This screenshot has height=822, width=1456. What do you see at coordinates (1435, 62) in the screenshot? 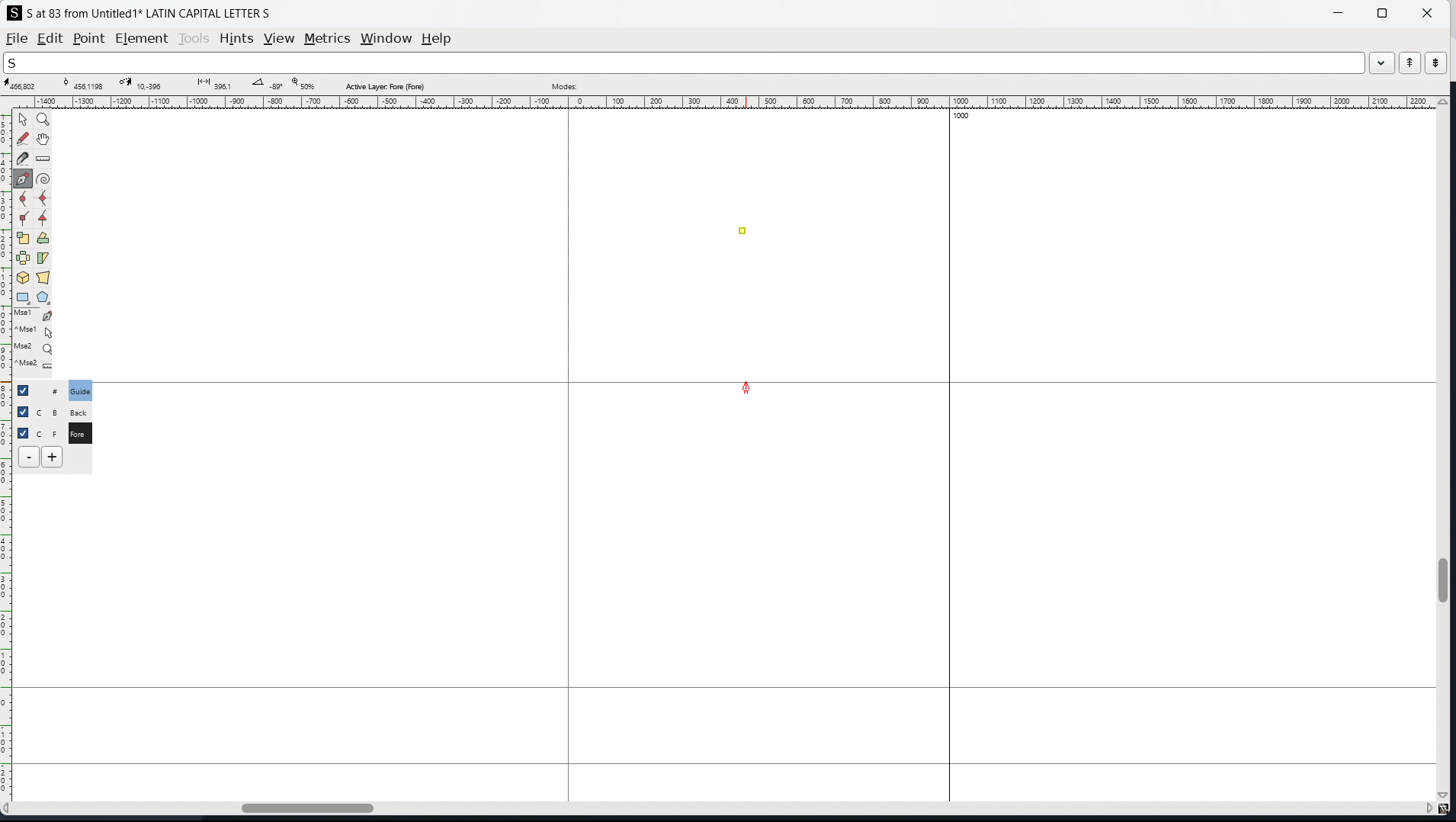
I see `next word in the wordlist` at bounding box center [1435, 62].